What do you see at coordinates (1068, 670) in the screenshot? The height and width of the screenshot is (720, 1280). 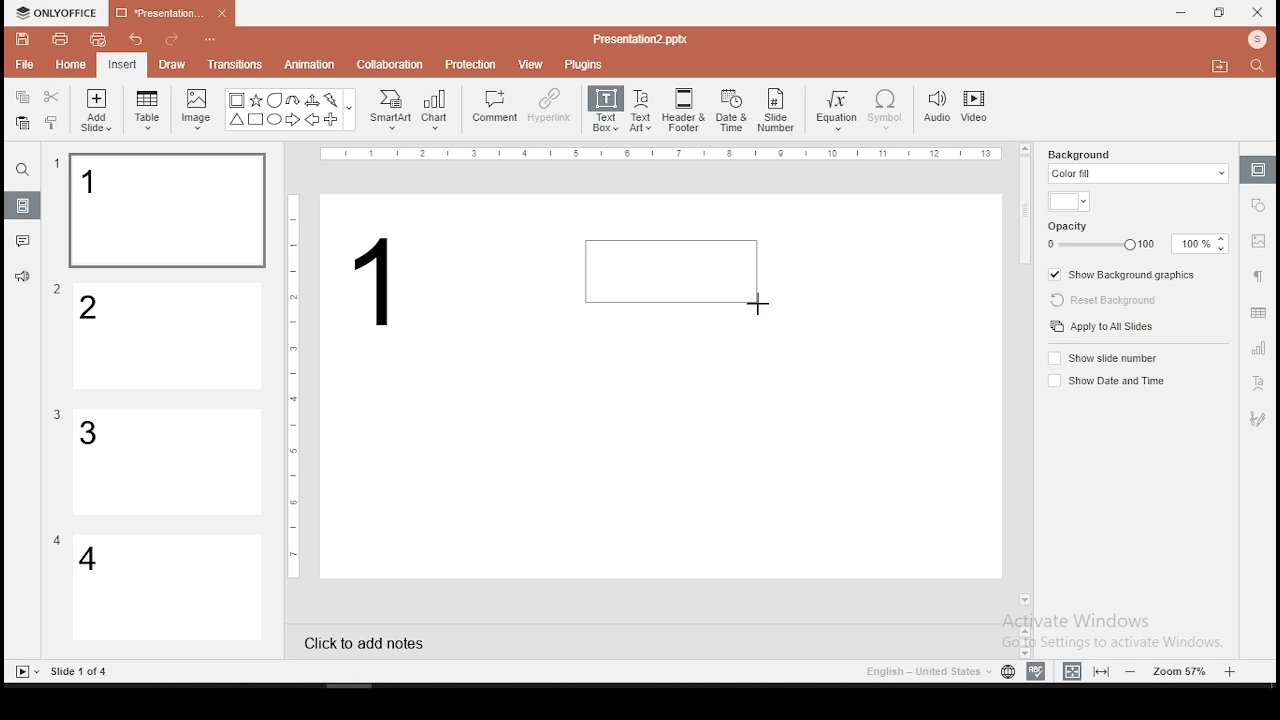 I see `fit to width` at bounding box center [1068, 670].